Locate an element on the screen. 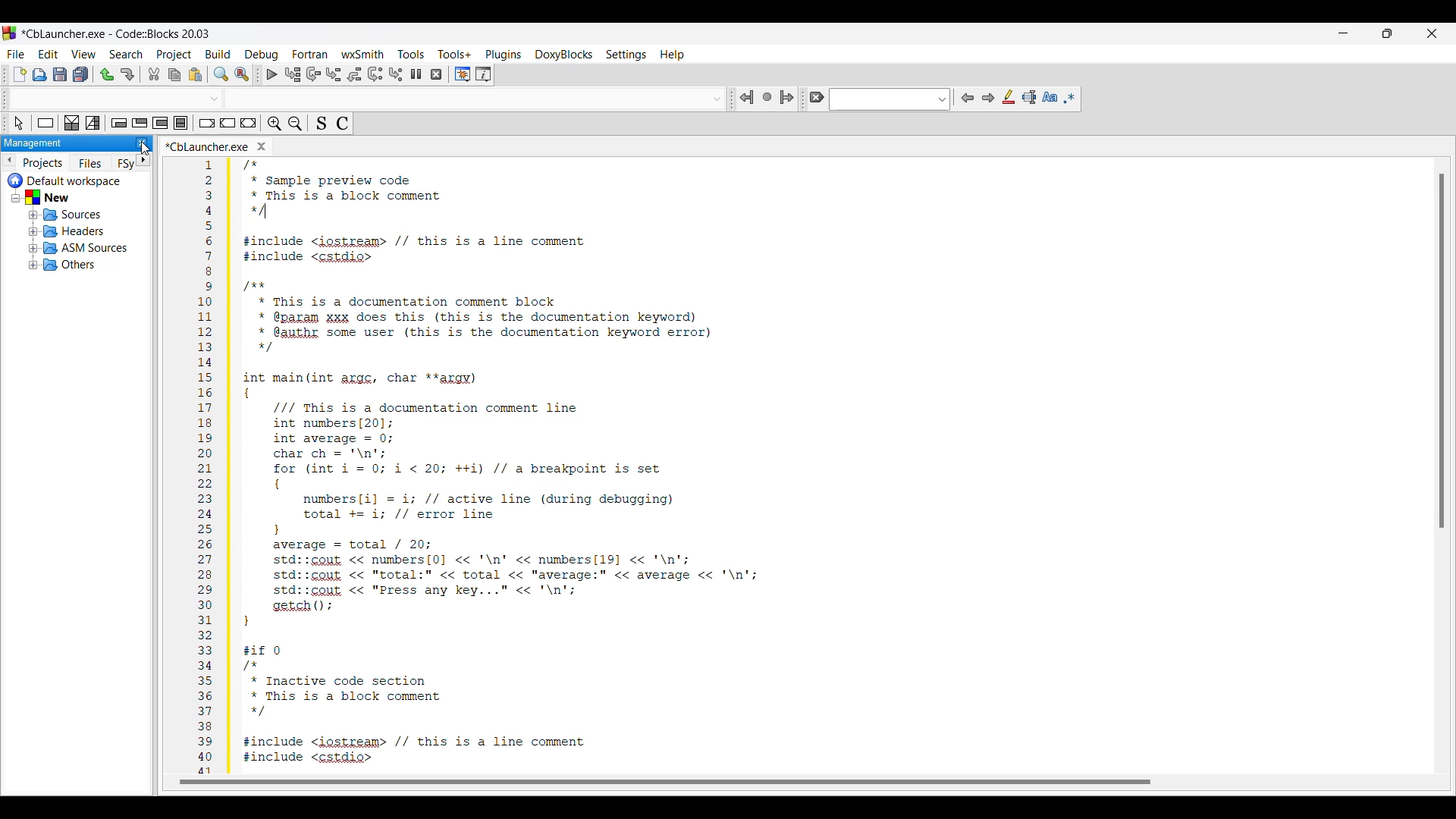  numbers  is located at coordinates (207, 465).